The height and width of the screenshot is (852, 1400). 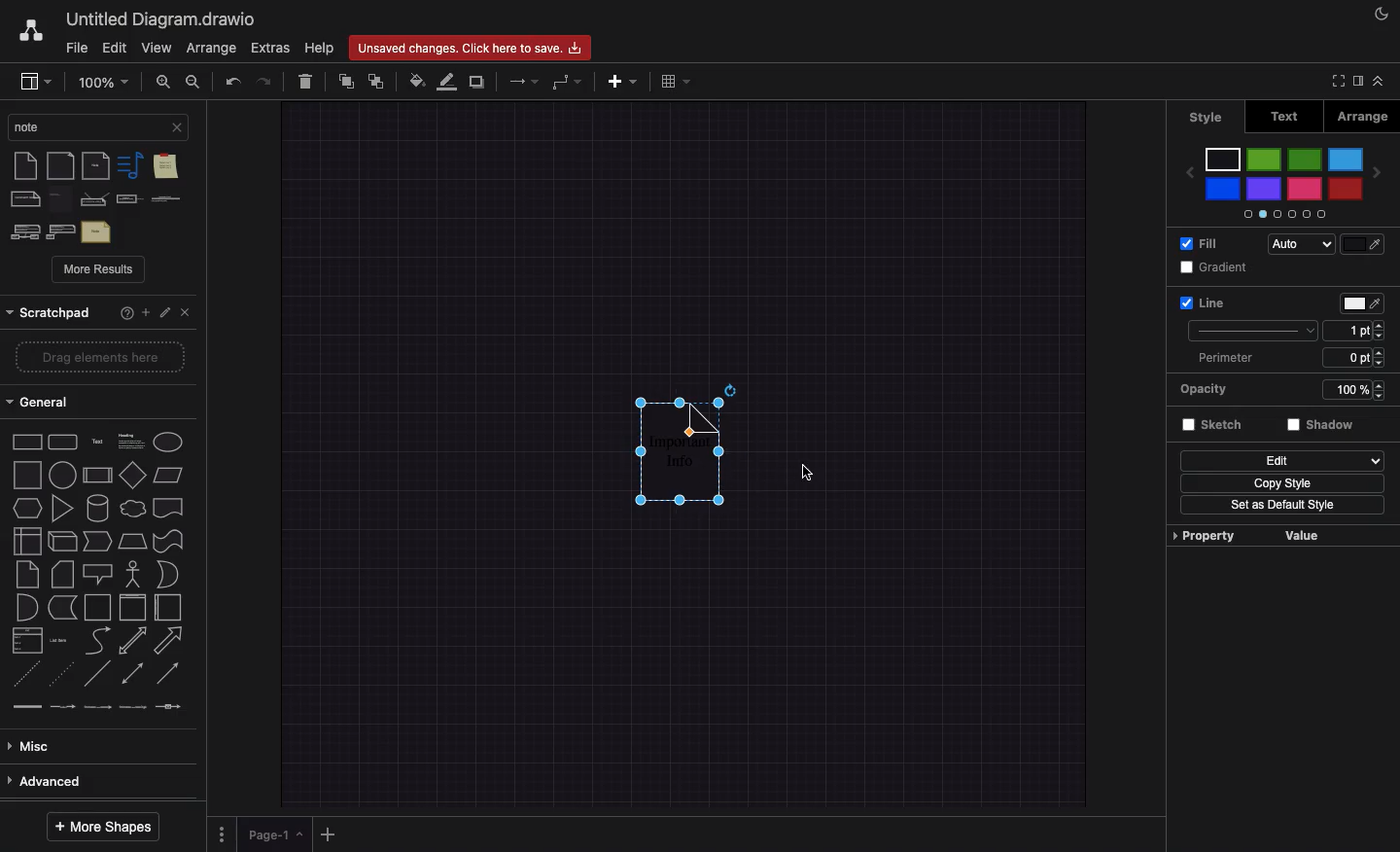 I want to click on Night mode, so click(x=1384, y=12).